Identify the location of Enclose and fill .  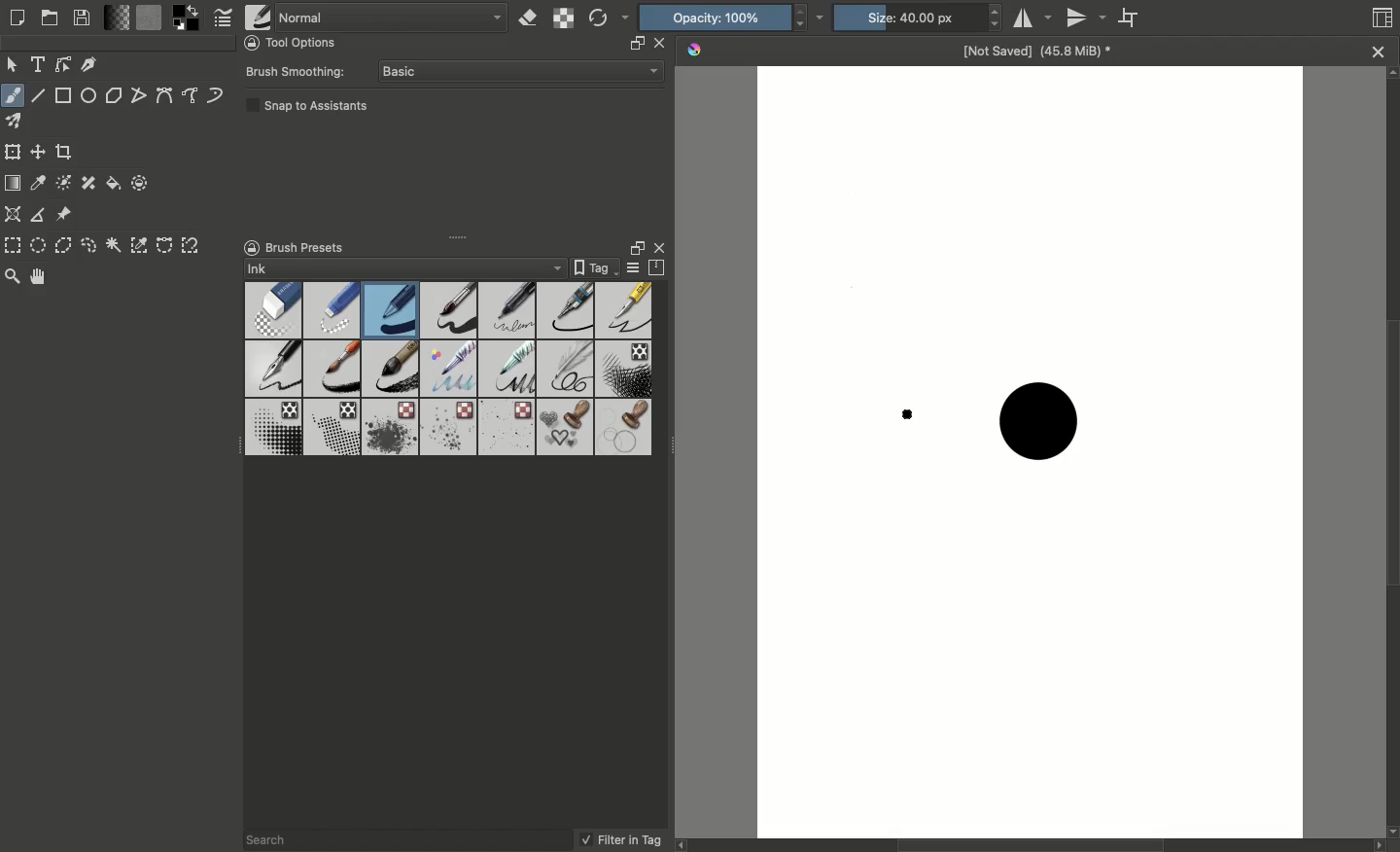
(137, 182).